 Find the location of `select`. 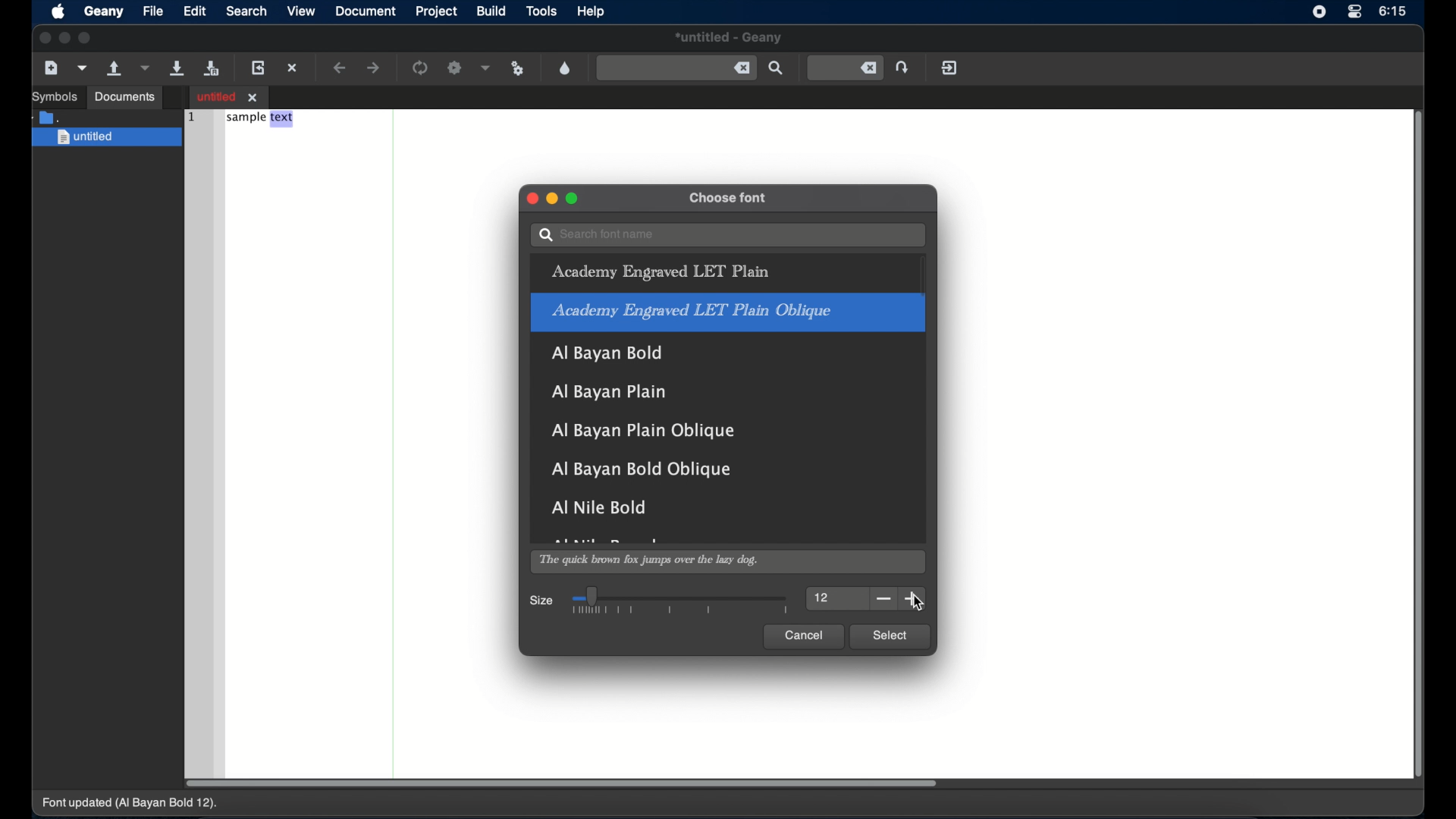

select is located at coordinates (890, 637).